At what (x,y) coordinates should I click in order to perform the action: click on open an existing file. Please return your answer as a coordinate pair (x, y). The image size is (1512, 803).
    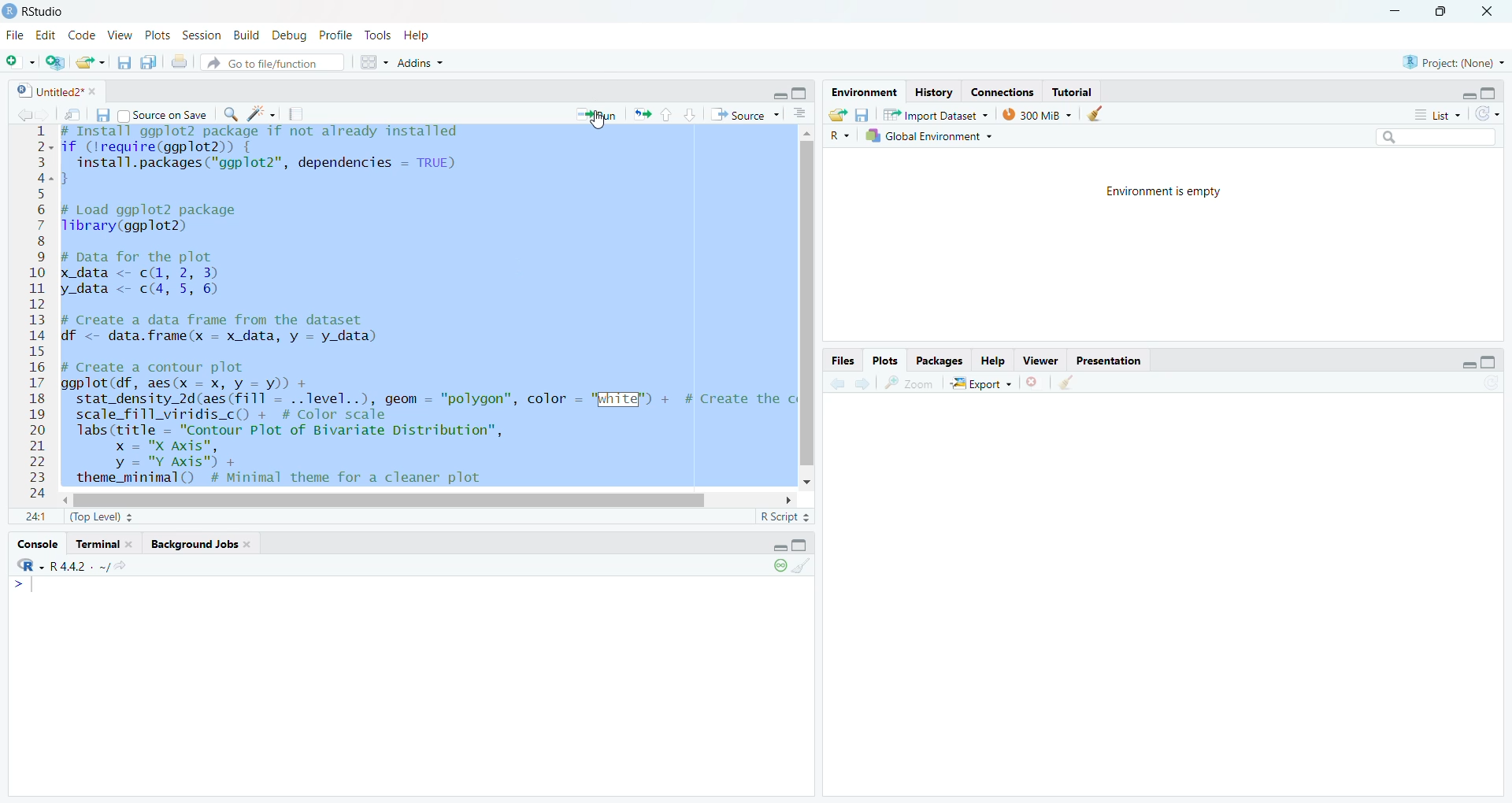
    Looking at the image, I should click on (91, 62).